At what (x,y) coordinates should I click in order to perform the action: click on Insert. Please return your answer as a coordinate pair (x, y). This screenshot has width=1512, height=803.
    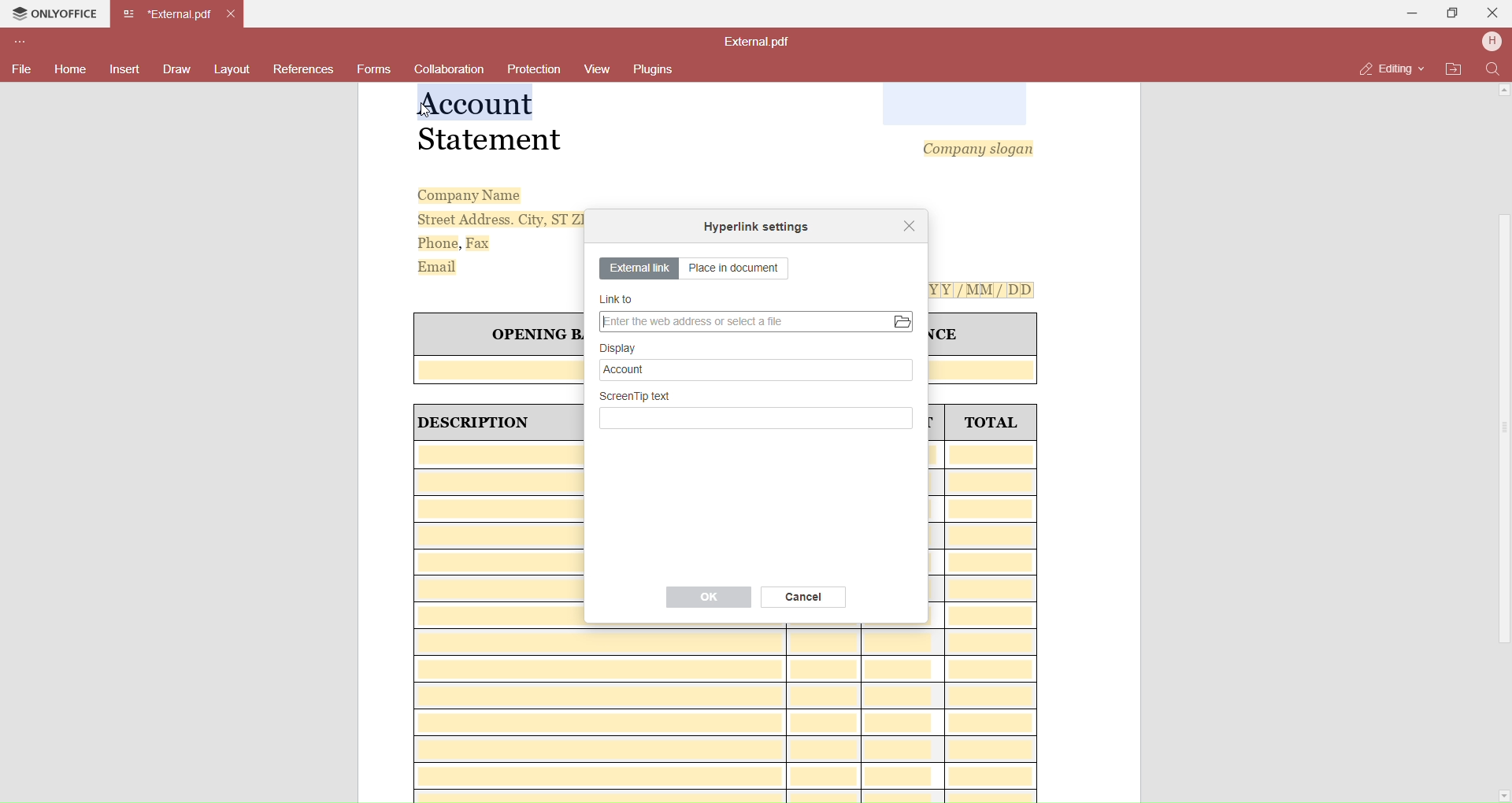
    Looking at the image, I should click on (127, 69).